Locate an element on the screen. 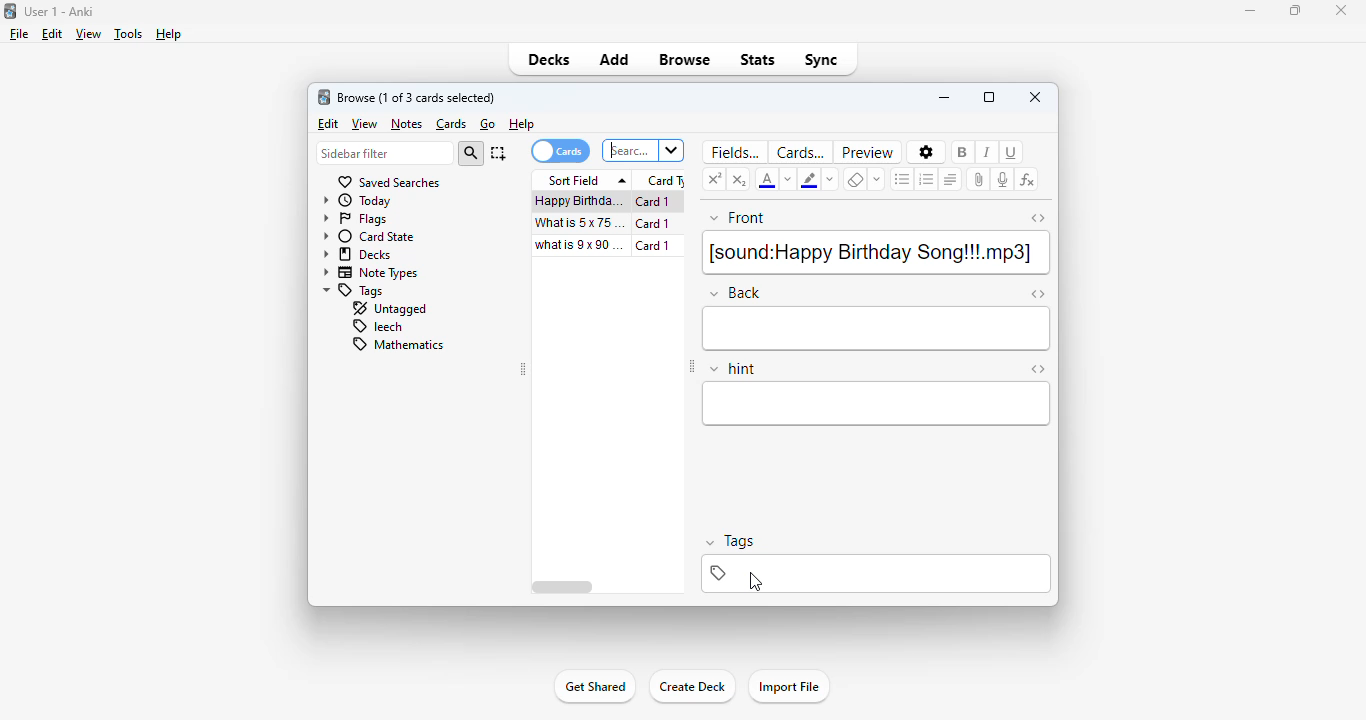 The image size is (1366, 720). toggle HTML editor is located at coordinates (1038, 295).